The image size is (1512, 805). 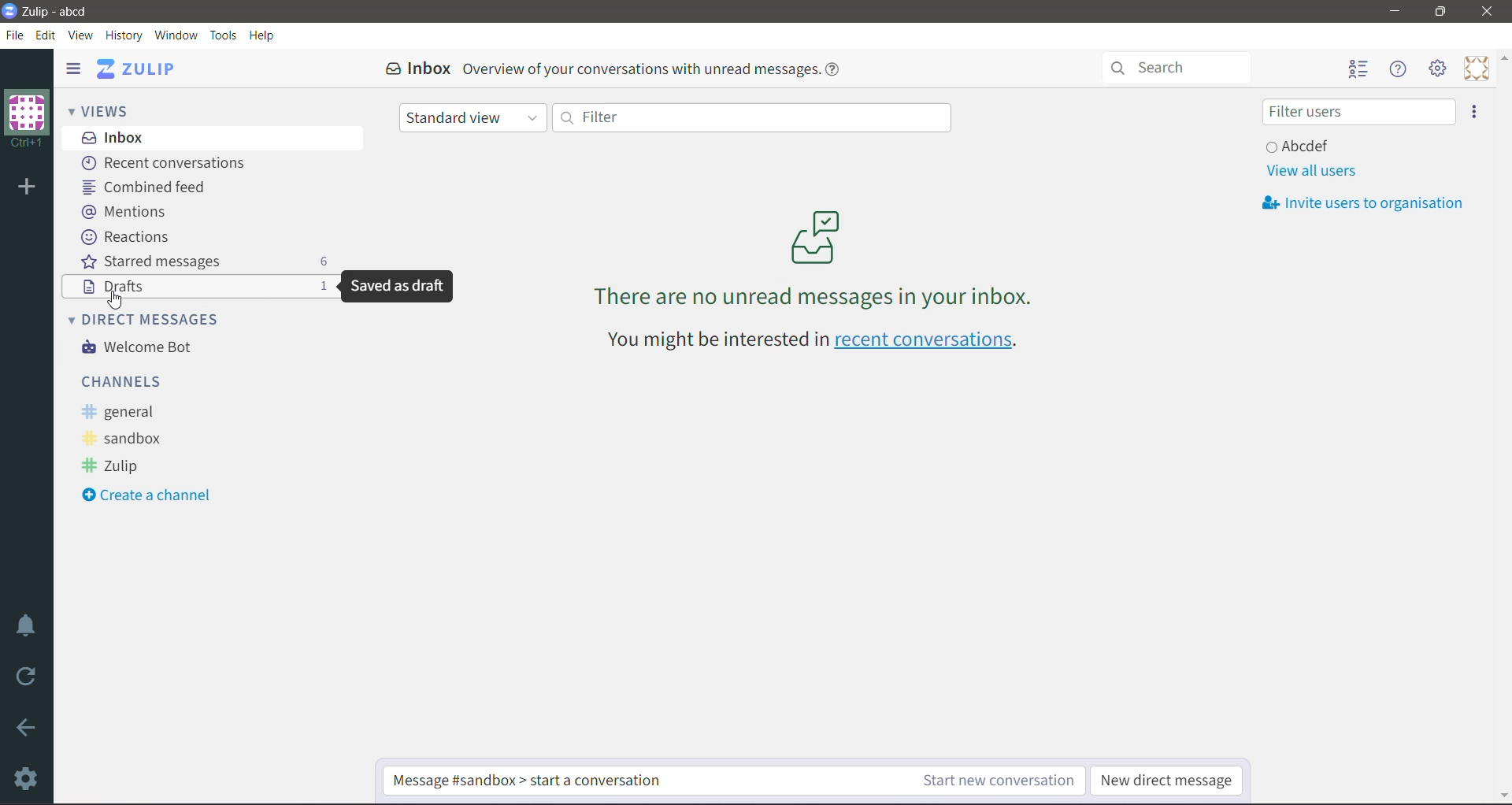 What do you see at coordinates (213, 137) in the screenshot?
I see `Inbox` at bounding box center [213, 137].